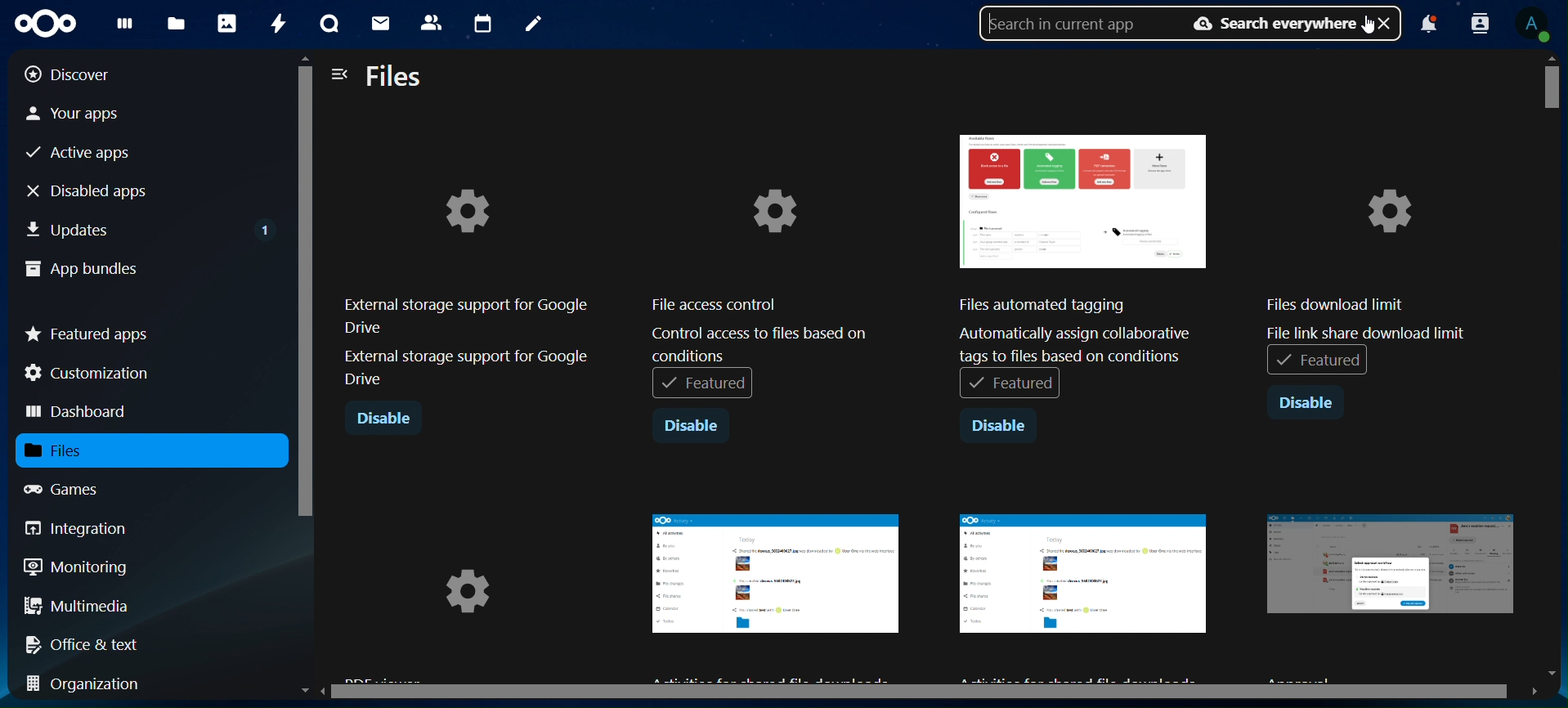  What do you see at coordinates (1555, 381) in the screenshot?
I see `scrollbar` at bounding box center [1555, 381].